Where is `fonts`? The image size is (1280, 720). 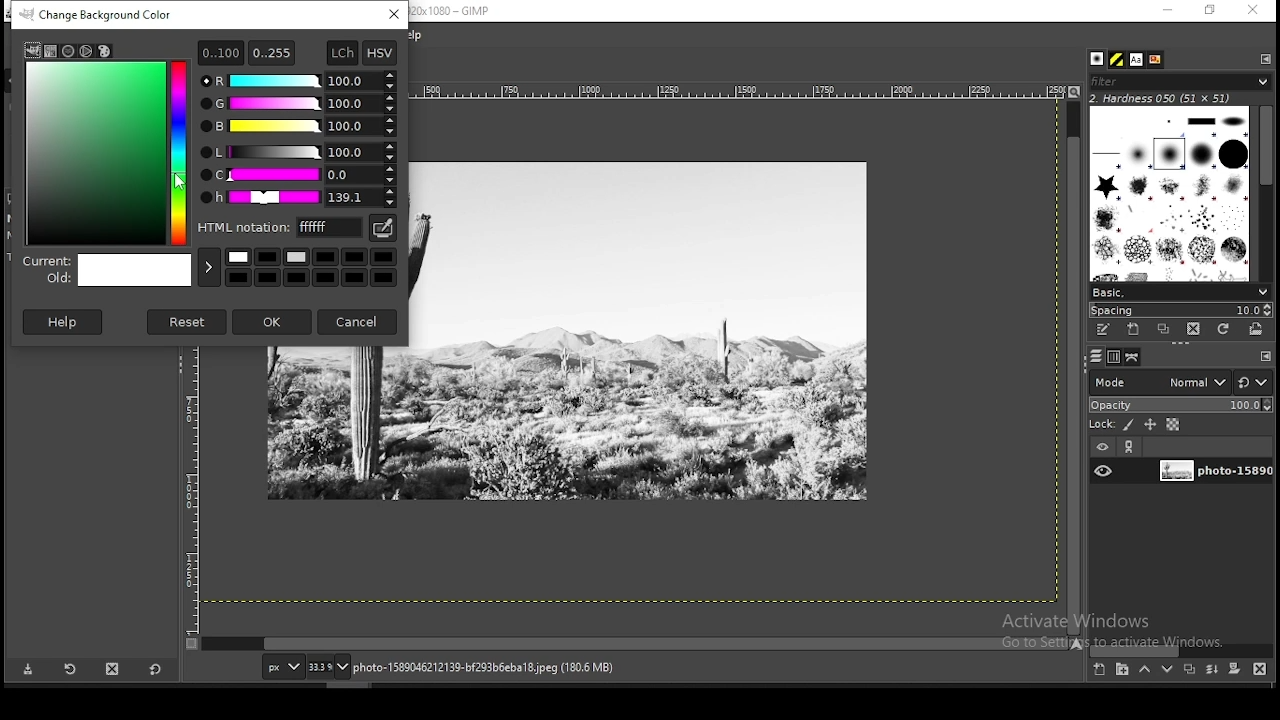
fonts is located at coordinates (1138, 59).